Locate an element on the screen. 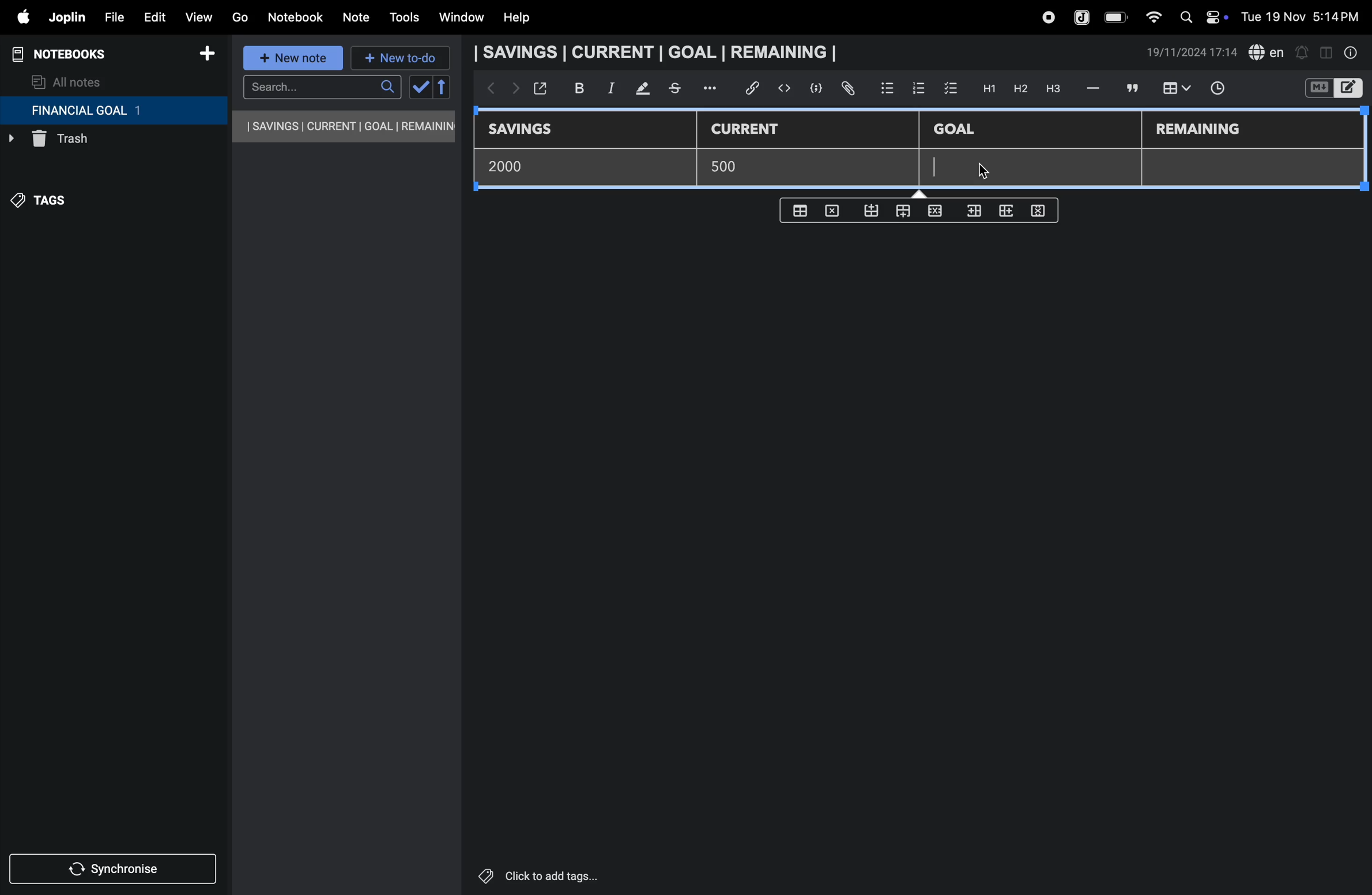 This screenshot has width=1372, height=895. attach file is located at coordinates (847, 89).